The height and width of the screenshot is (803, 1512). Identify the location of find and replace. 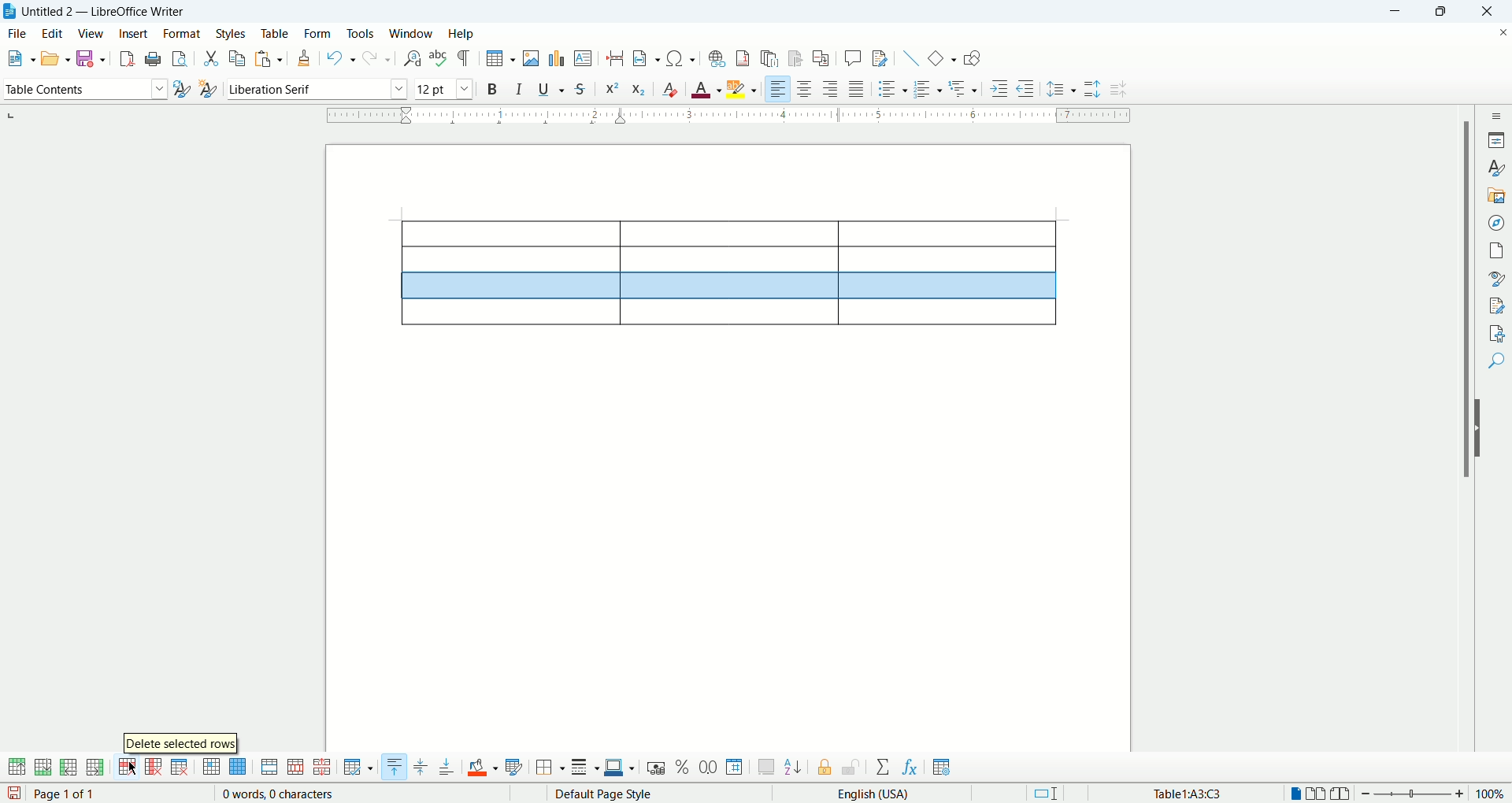
(413, 58).